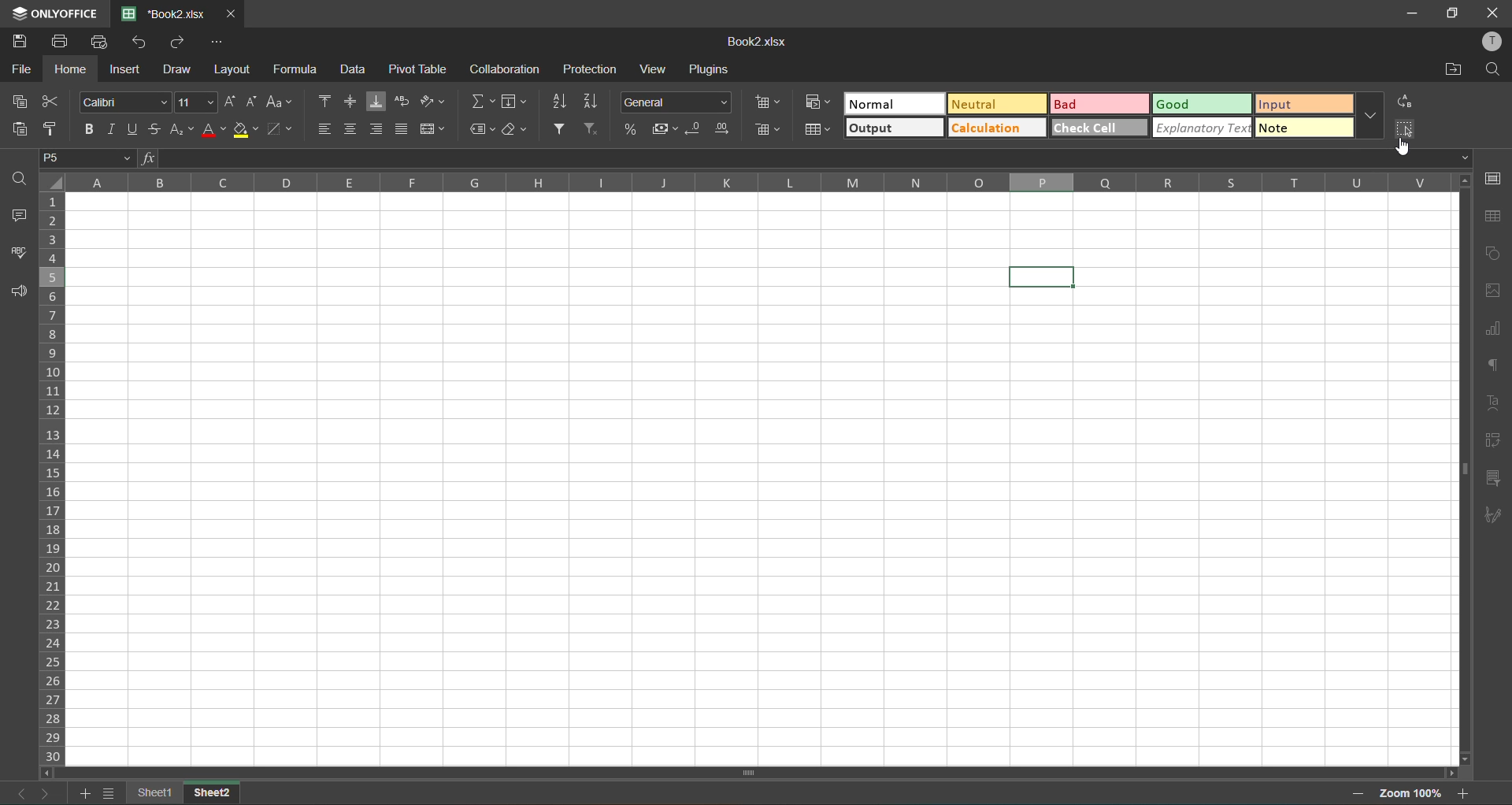 Image resolution: width=1512 pixels, height=805 pixels. Describe the element at coordinates (280, 102) in the screenshot. I see `change case` at that location.